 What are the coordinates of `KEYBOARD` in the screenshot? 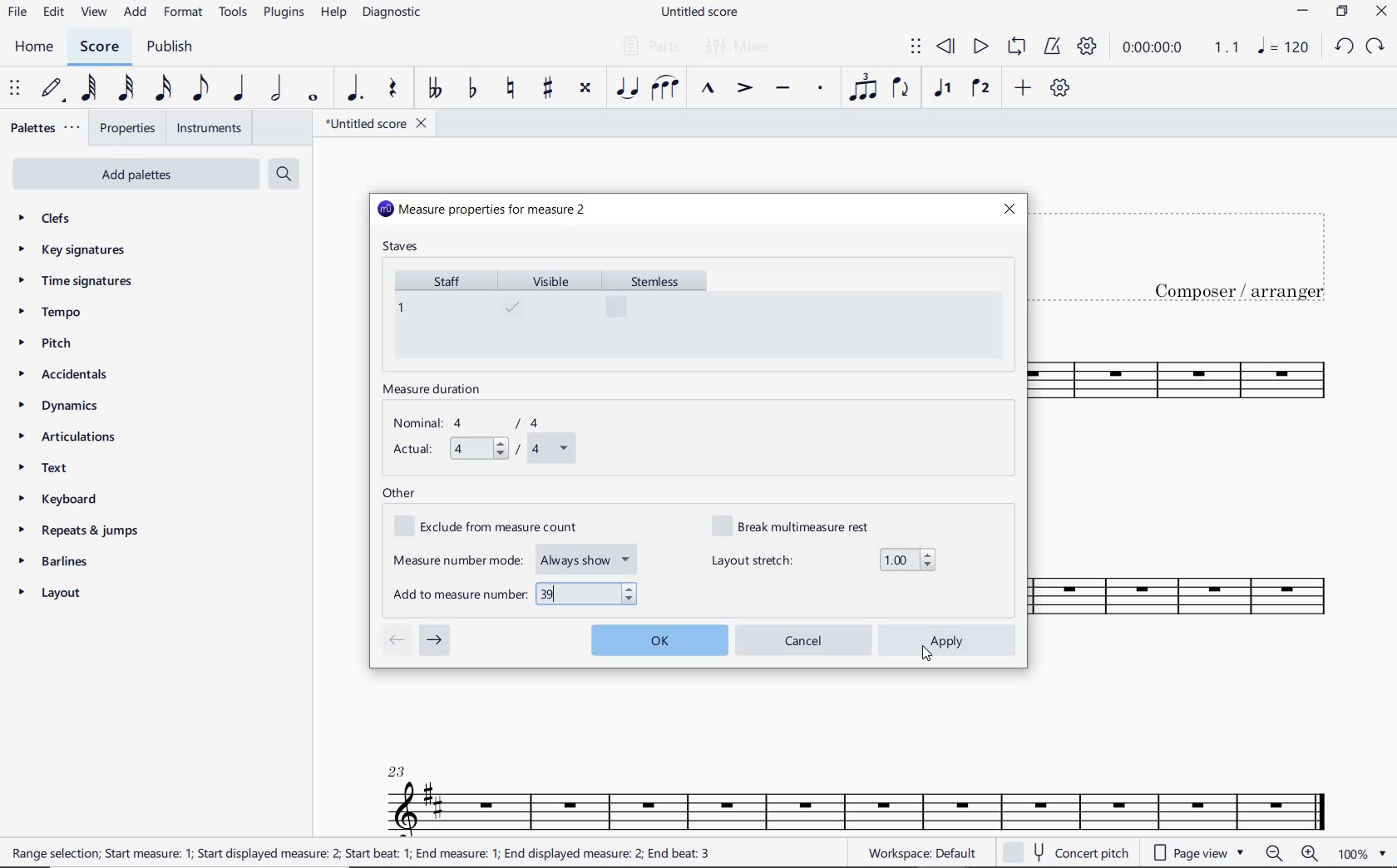 It's located at (72, 501).